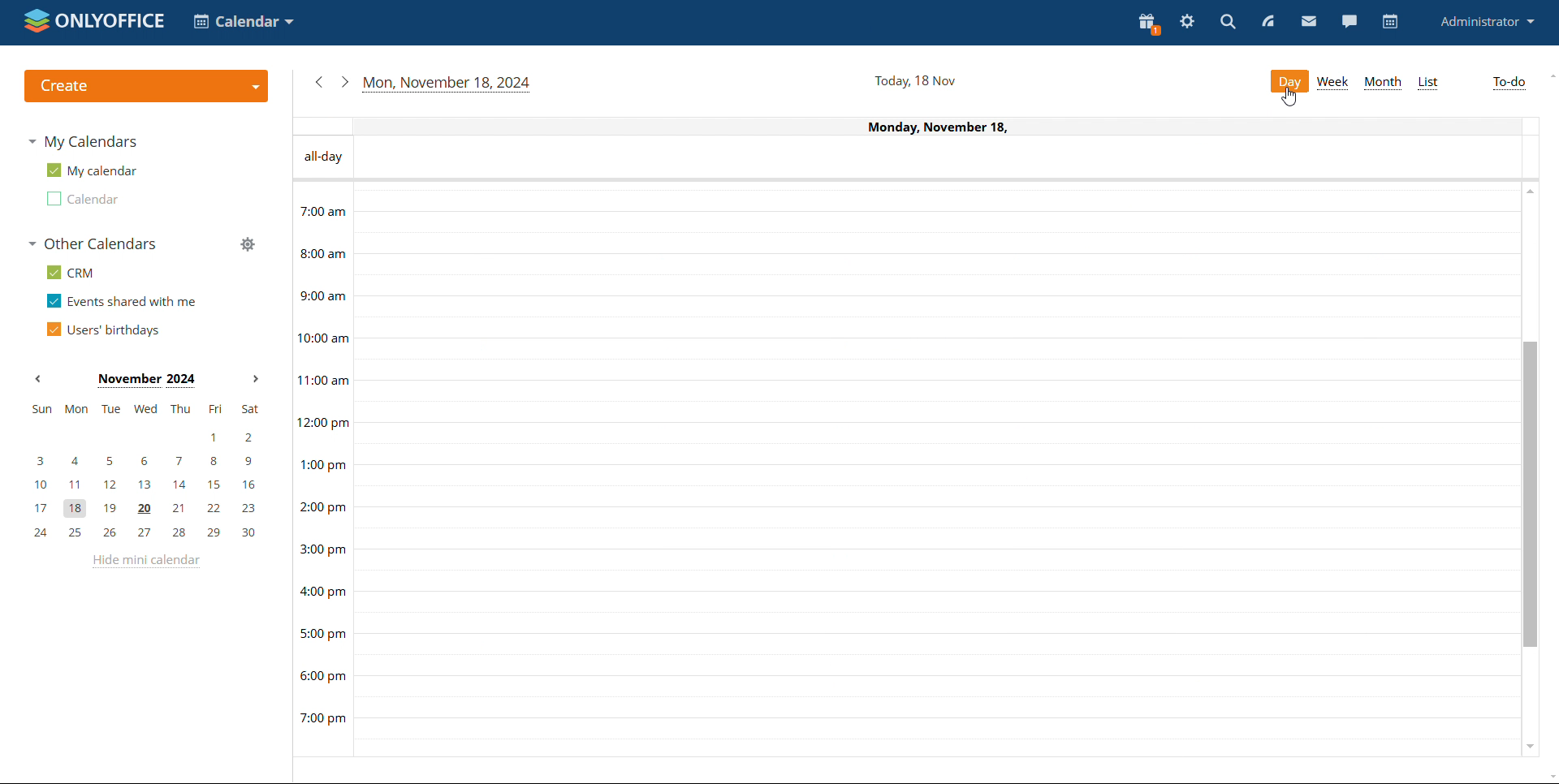 Image resolution: width=1559 pixels, height=784 pixels. Describe the element at coordinates (93, 243) in the screenshot. I see `other calendars` at that location.